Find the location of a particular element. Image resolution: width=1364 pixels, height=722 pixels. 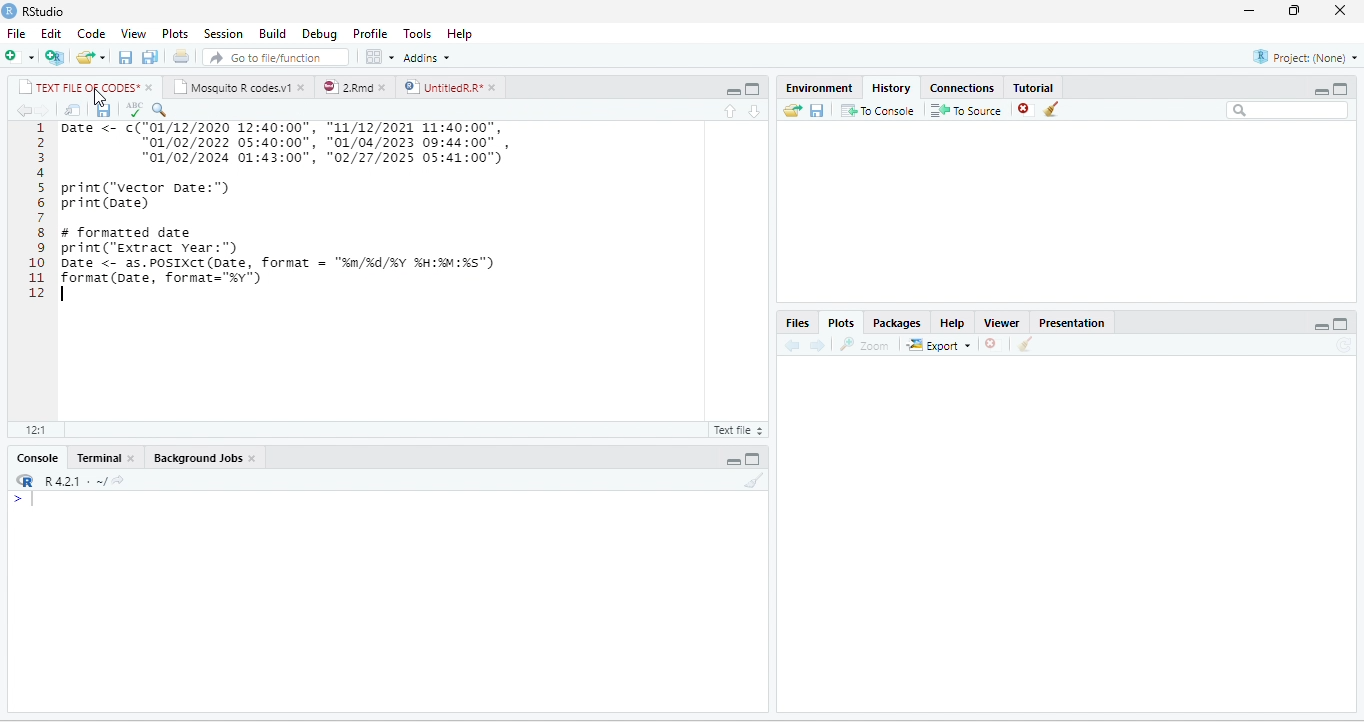

Mosquito R codes.v1 is located at coordinates (232, 87).